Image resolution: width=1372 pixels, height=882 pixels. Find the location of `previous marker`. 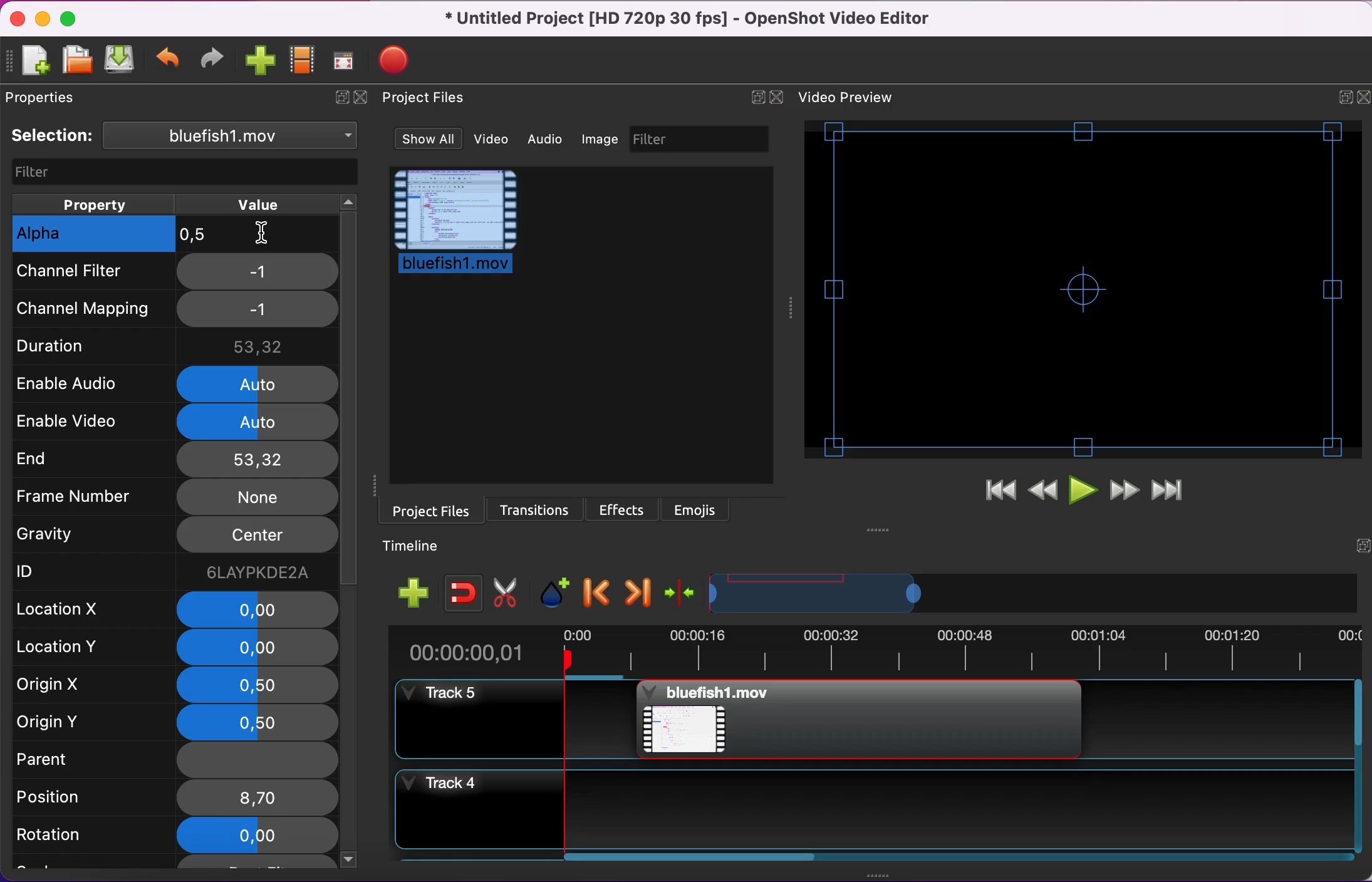

previous marker is located at coordinates (598, 593).